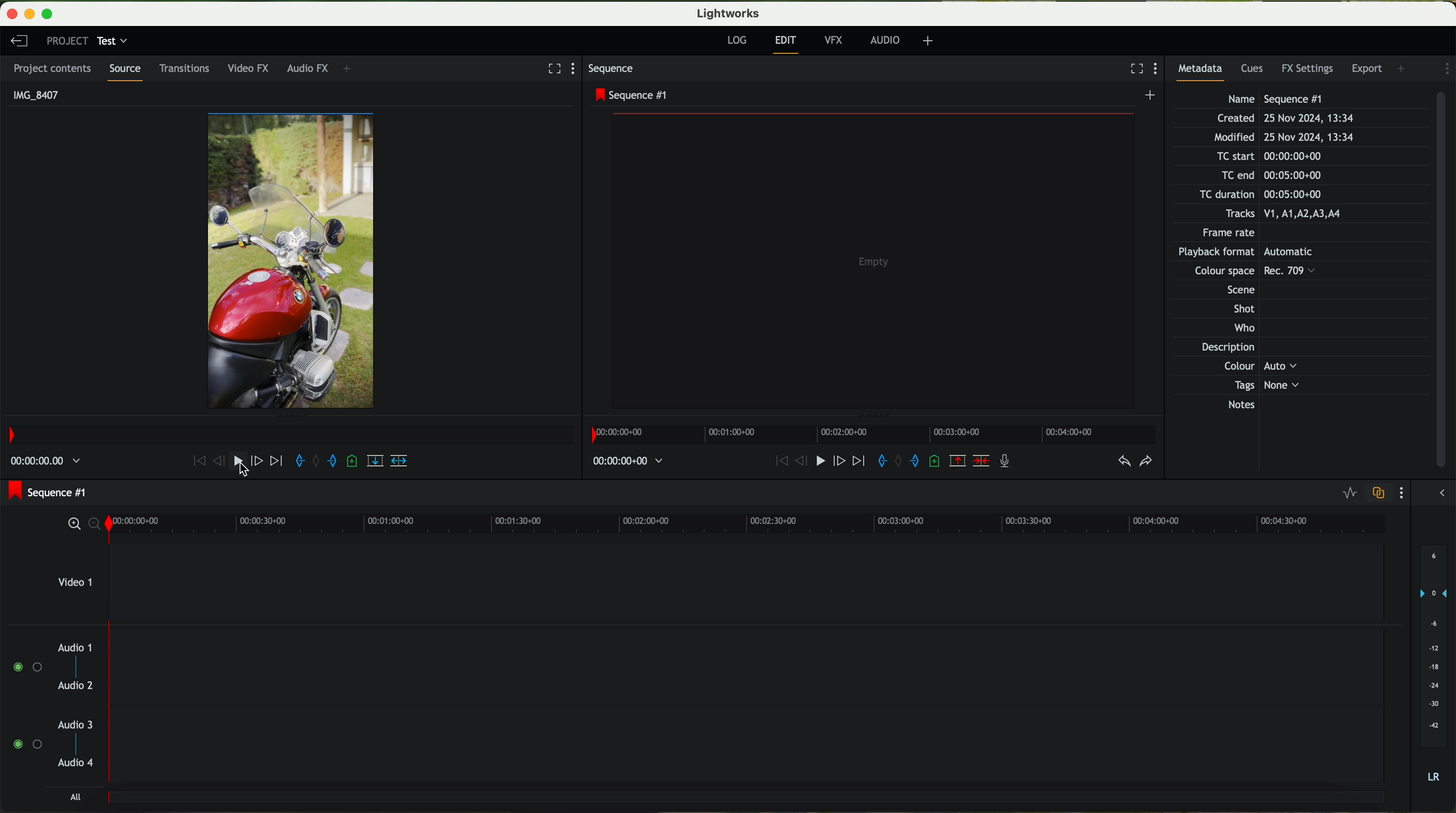  Describe the element at coordinates (49, 492) in the screenshot. I see `sequence #1` at that location.